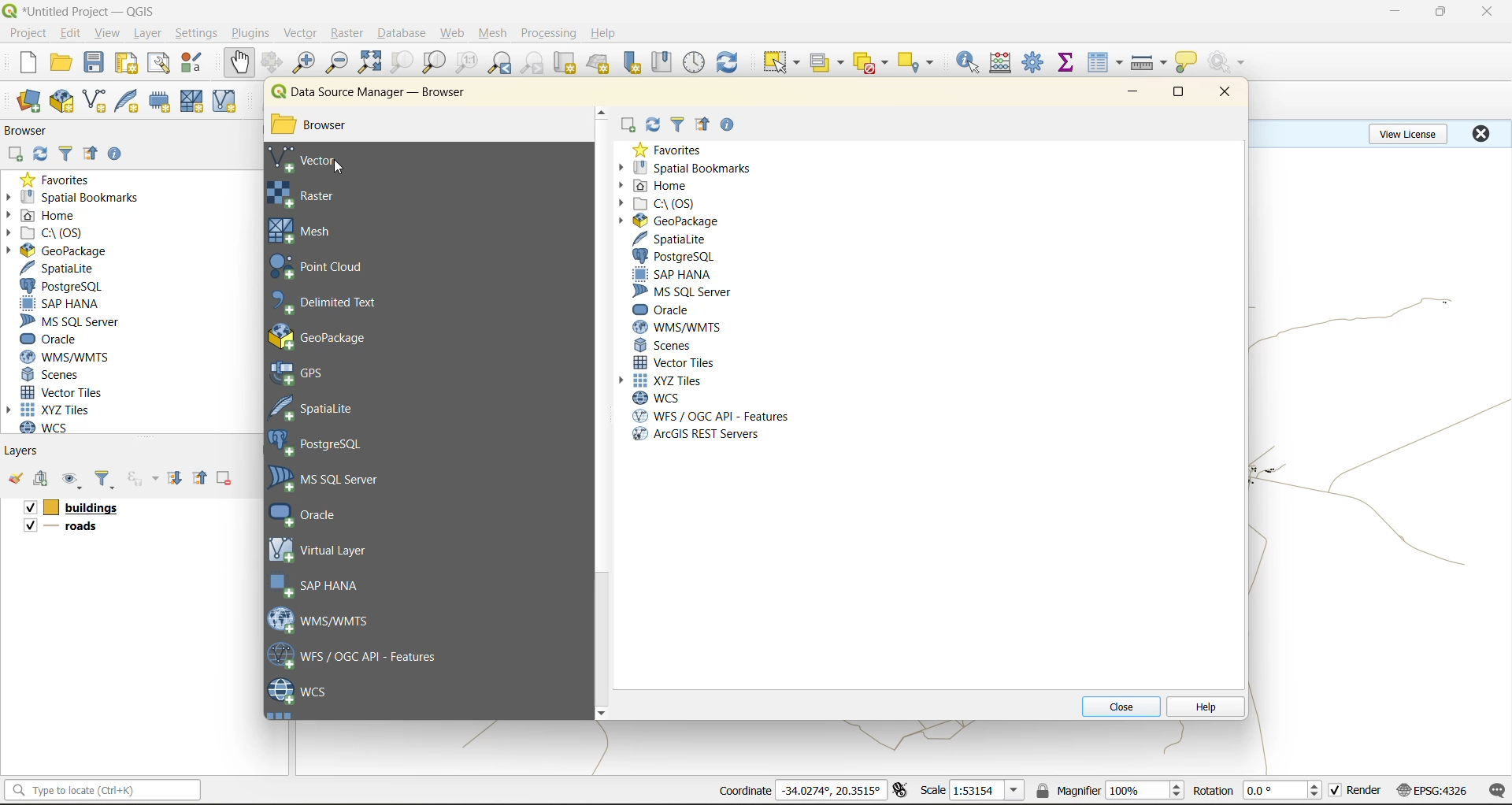 This screenshot has width=1512, height=805. I want to click on view license, so click(1411, 132).